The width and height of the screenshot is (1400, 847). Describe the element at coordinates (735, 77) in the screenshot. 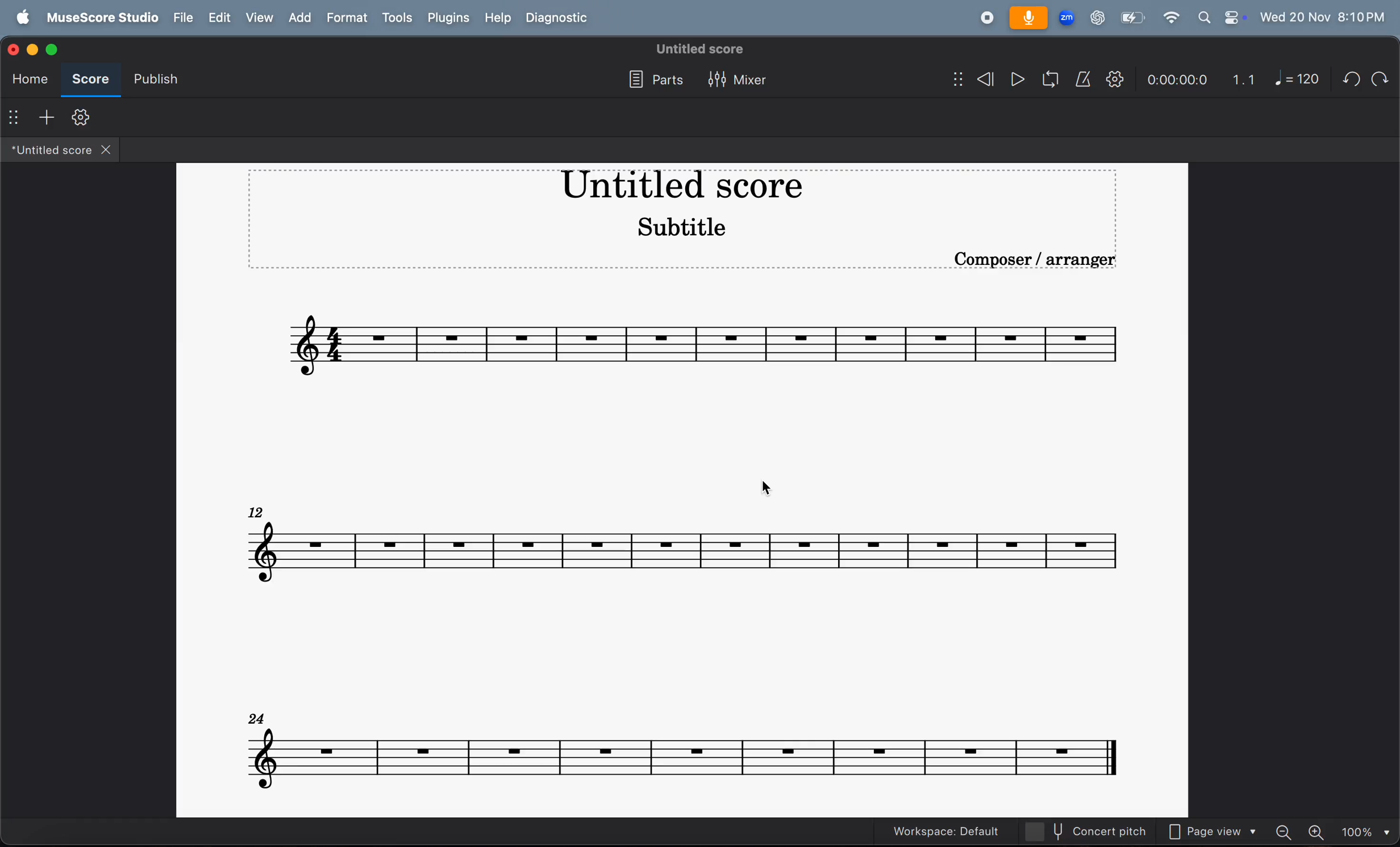

I see `mixer` at that location.